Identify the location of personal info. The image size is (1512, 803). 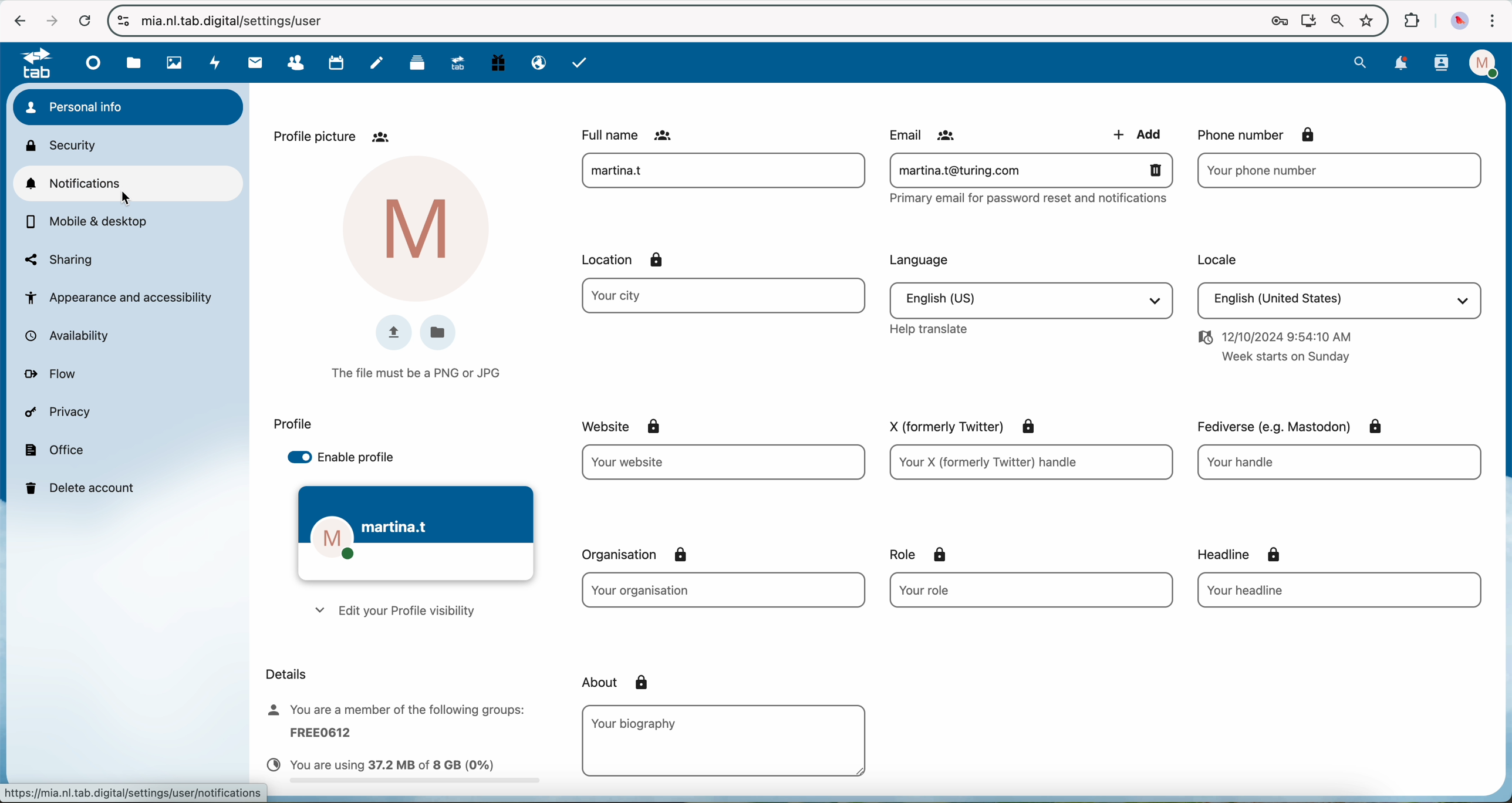
(129, 106).